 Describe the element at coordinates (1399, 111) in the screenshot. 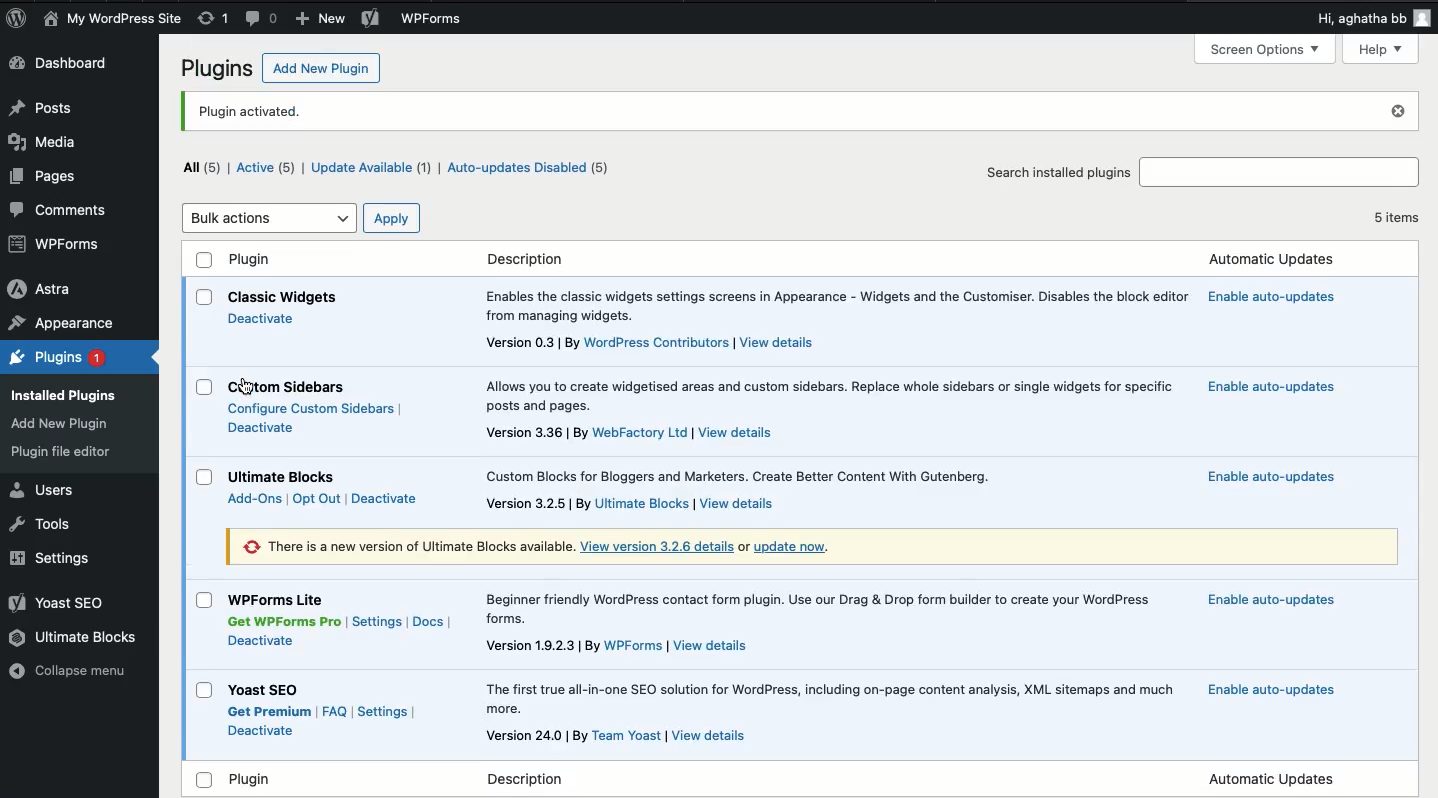

I see `close` at that location.